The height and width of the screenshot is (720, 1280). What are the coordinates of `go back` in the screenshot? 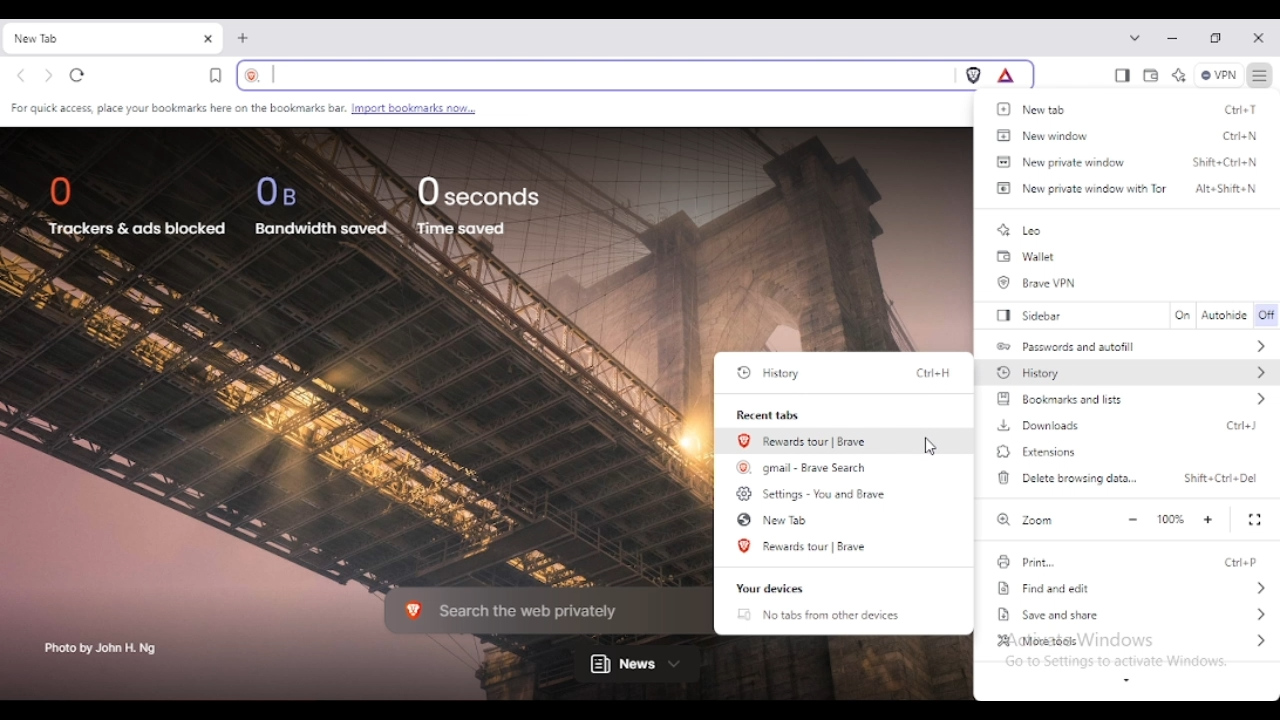 It's located at (22, 77).